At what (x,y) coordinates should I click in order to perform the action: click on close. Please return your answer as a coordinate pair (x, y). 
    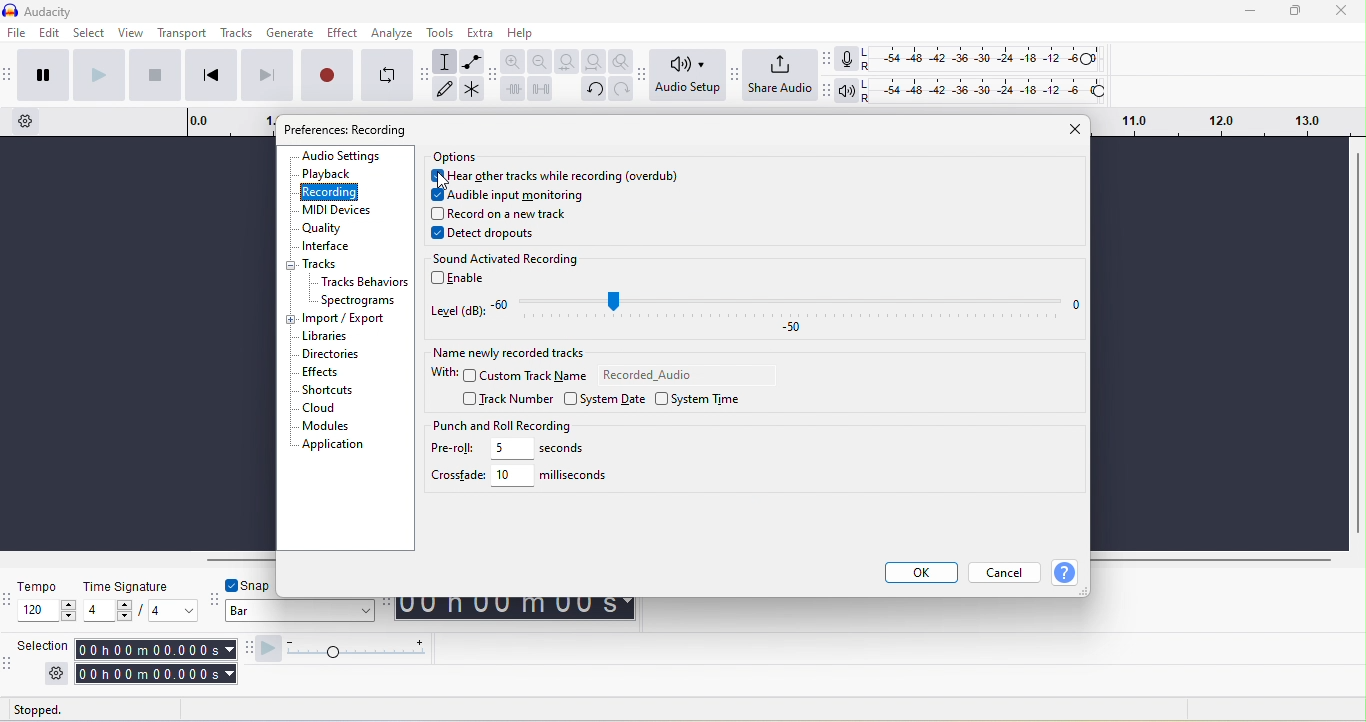
    Looking at the image, I should click on (1070, 129).